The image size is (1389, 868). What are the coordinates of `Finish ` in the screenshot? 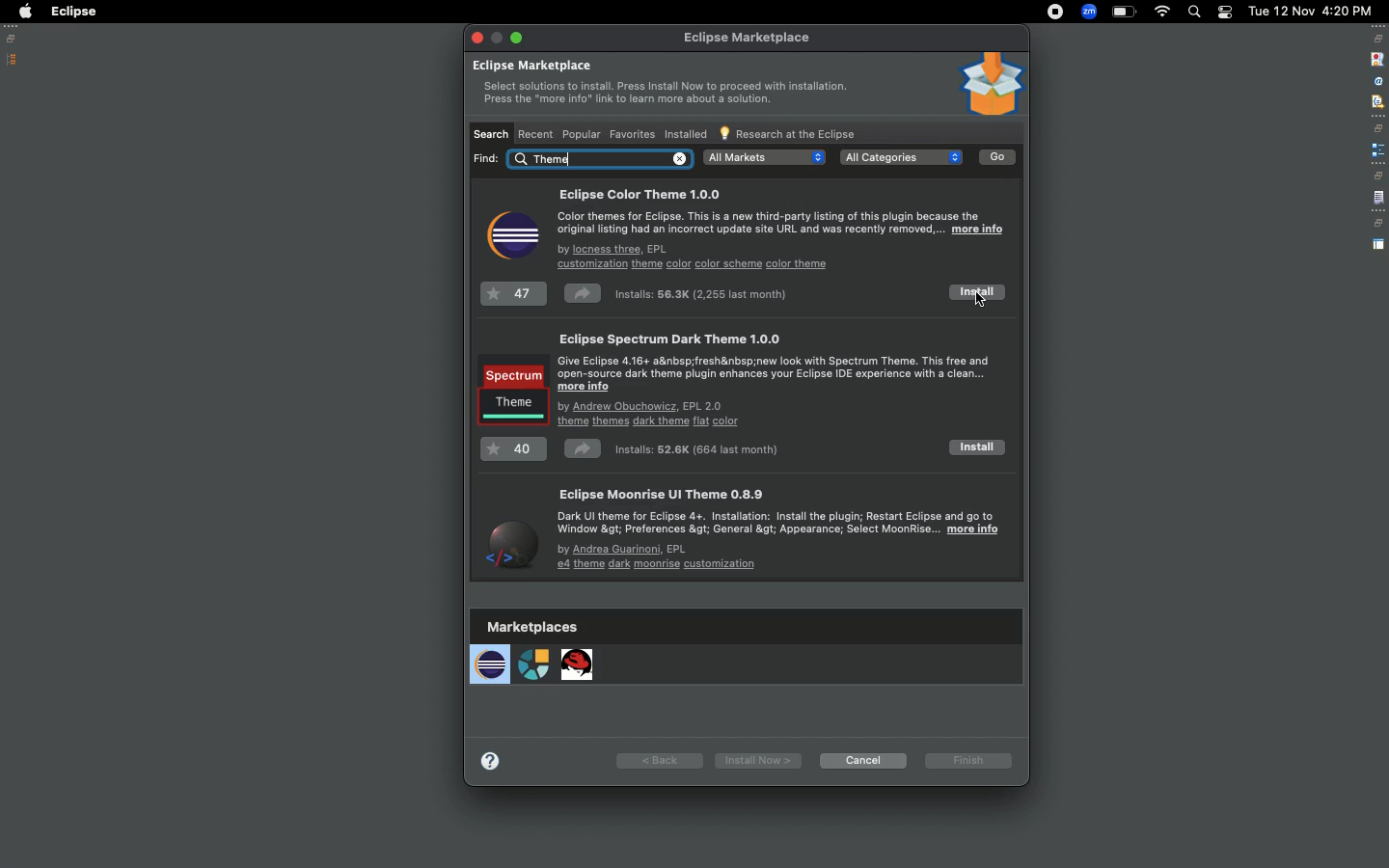 It's located at (971, 760).